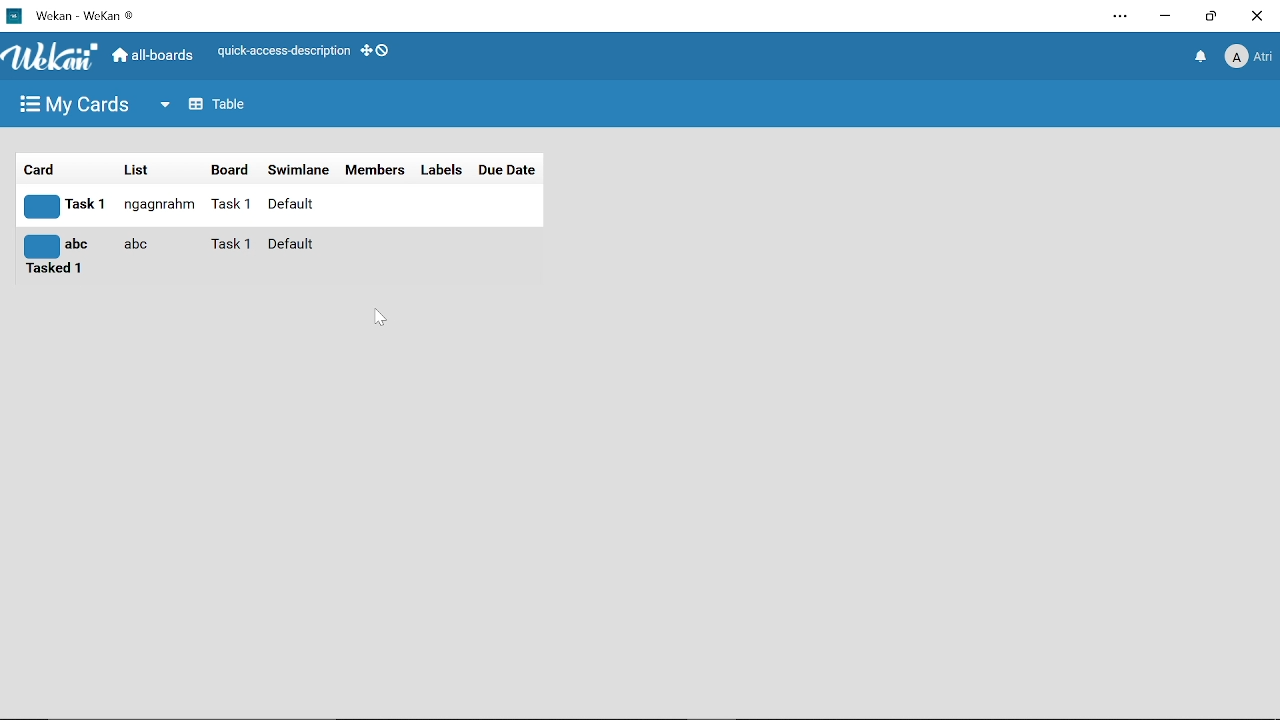 The height and width of the screenshot is (720, 1280). What do you see at coordinates (380, 320) in the screenshot?
I see `Cursor` at bounding box center [380, 320].